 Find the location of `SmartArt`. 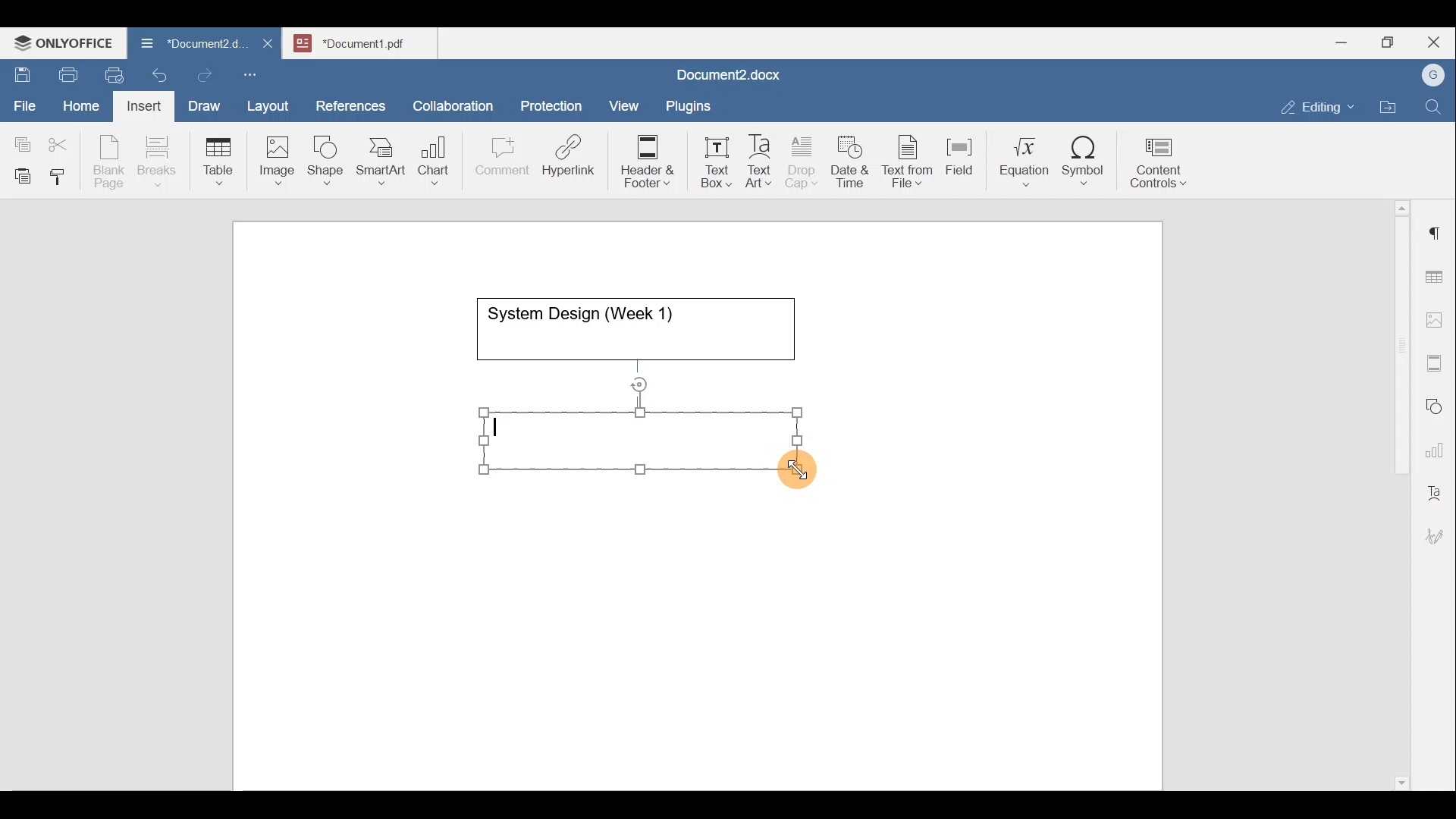

SmartArt is located at coordinates (378, 158).